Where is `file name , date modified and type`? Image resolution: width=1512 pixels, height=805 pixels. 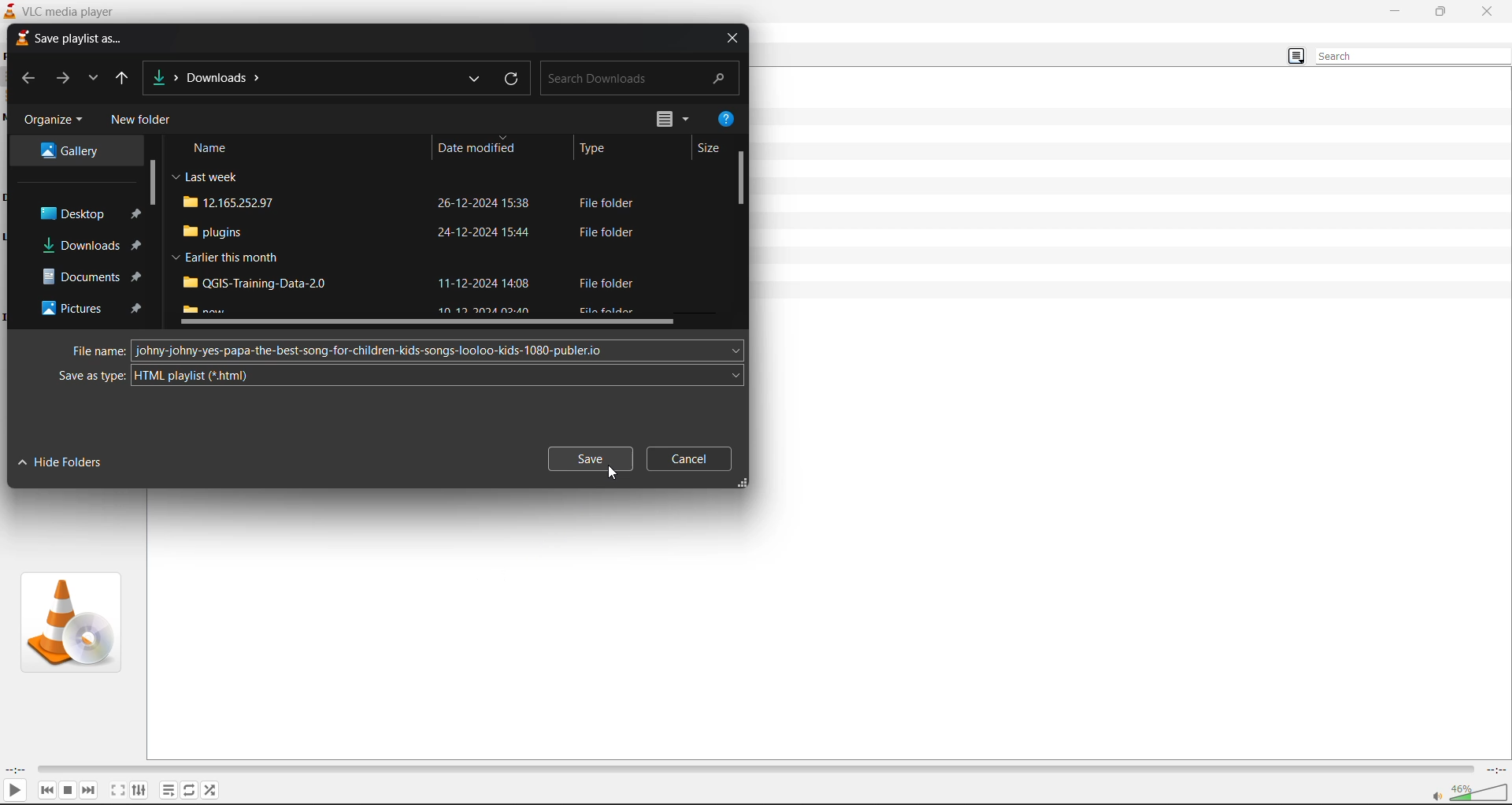
file name , date modified and type is located at coordinates (435, 230).